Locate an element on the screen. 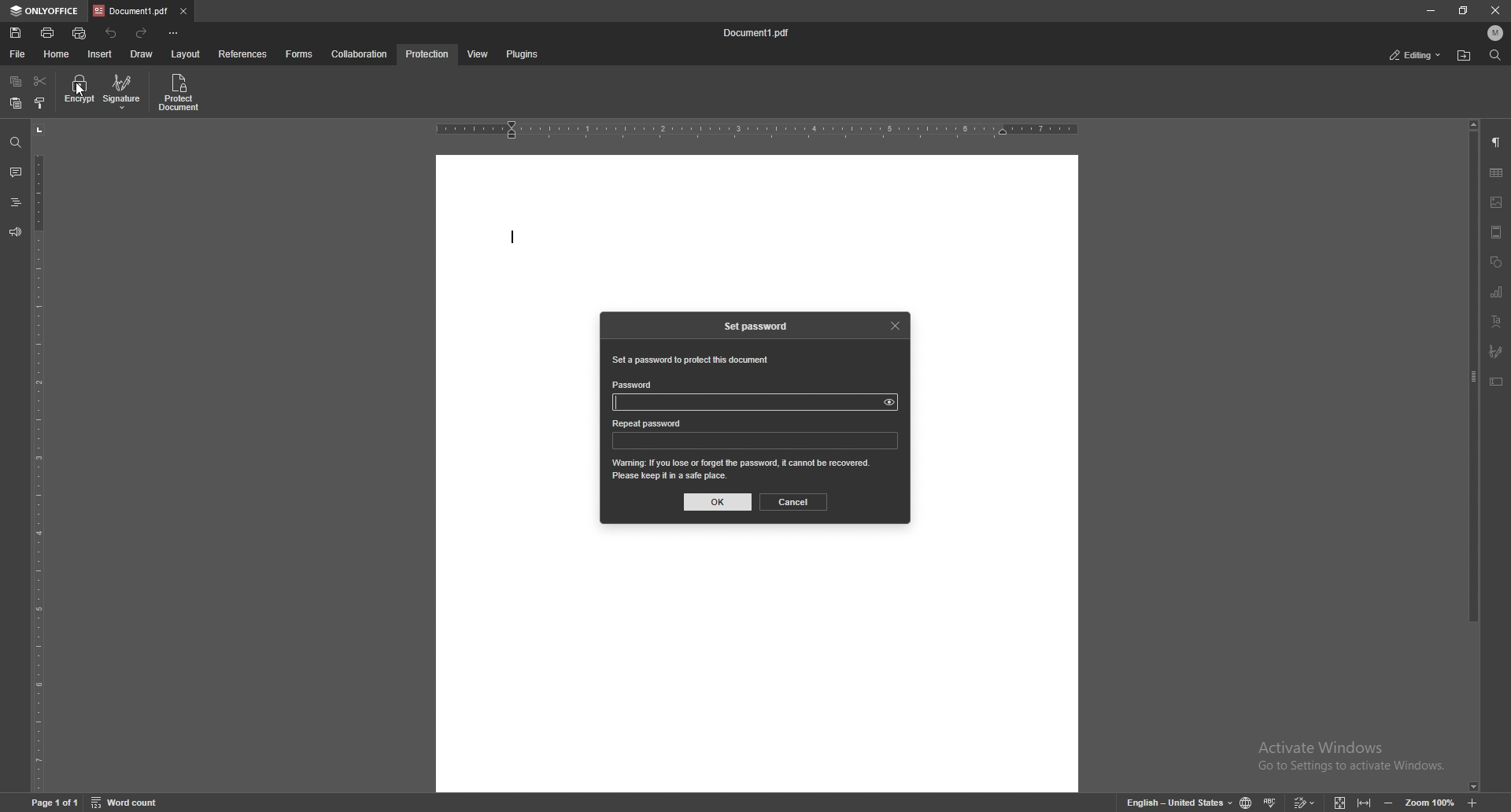 Image resolution: width=1511 pixels, height=812 pixels. change text language is located at coordinates (1180, 801).